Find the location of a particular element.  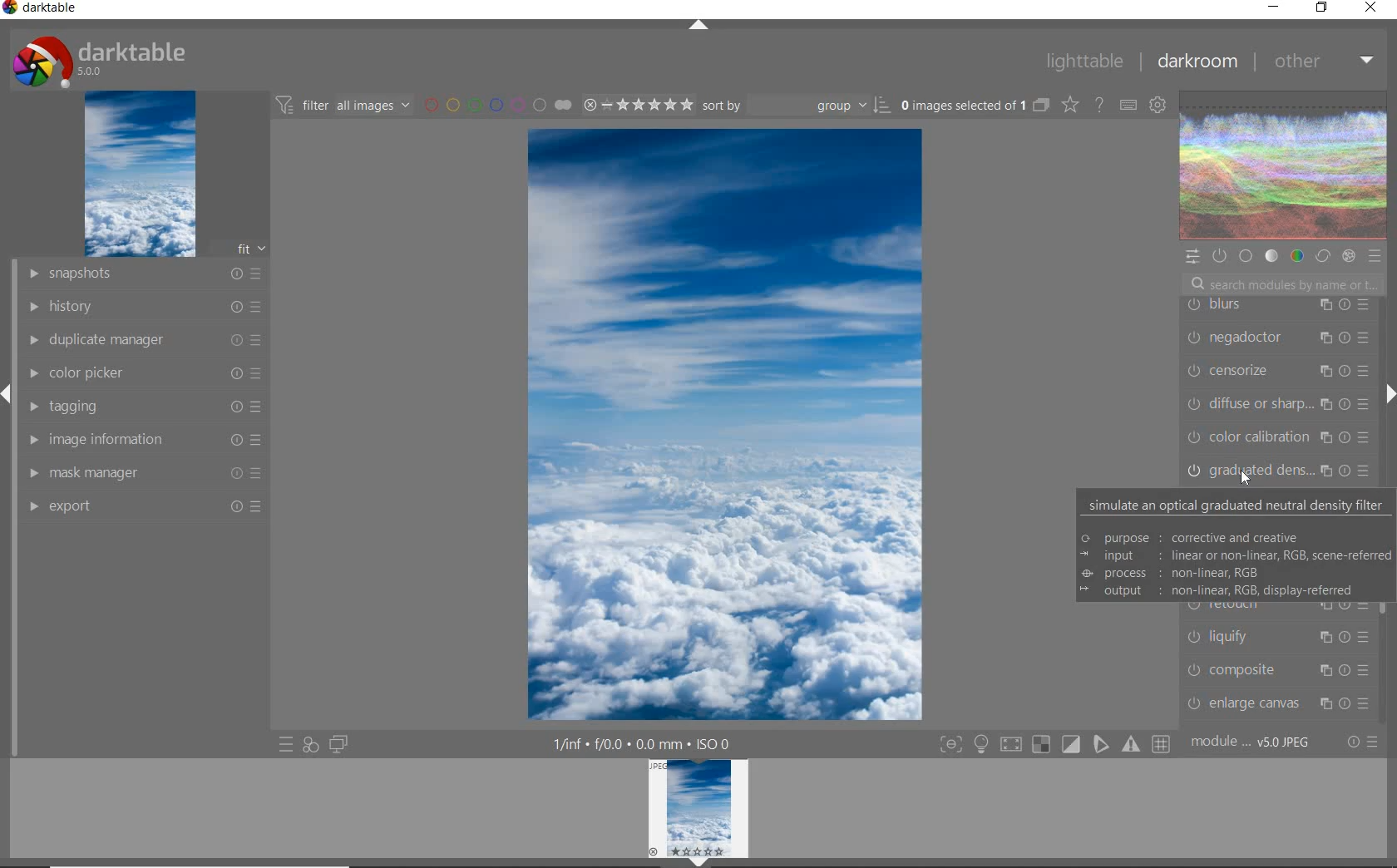

liquify is located at coordinates (1276, 635).